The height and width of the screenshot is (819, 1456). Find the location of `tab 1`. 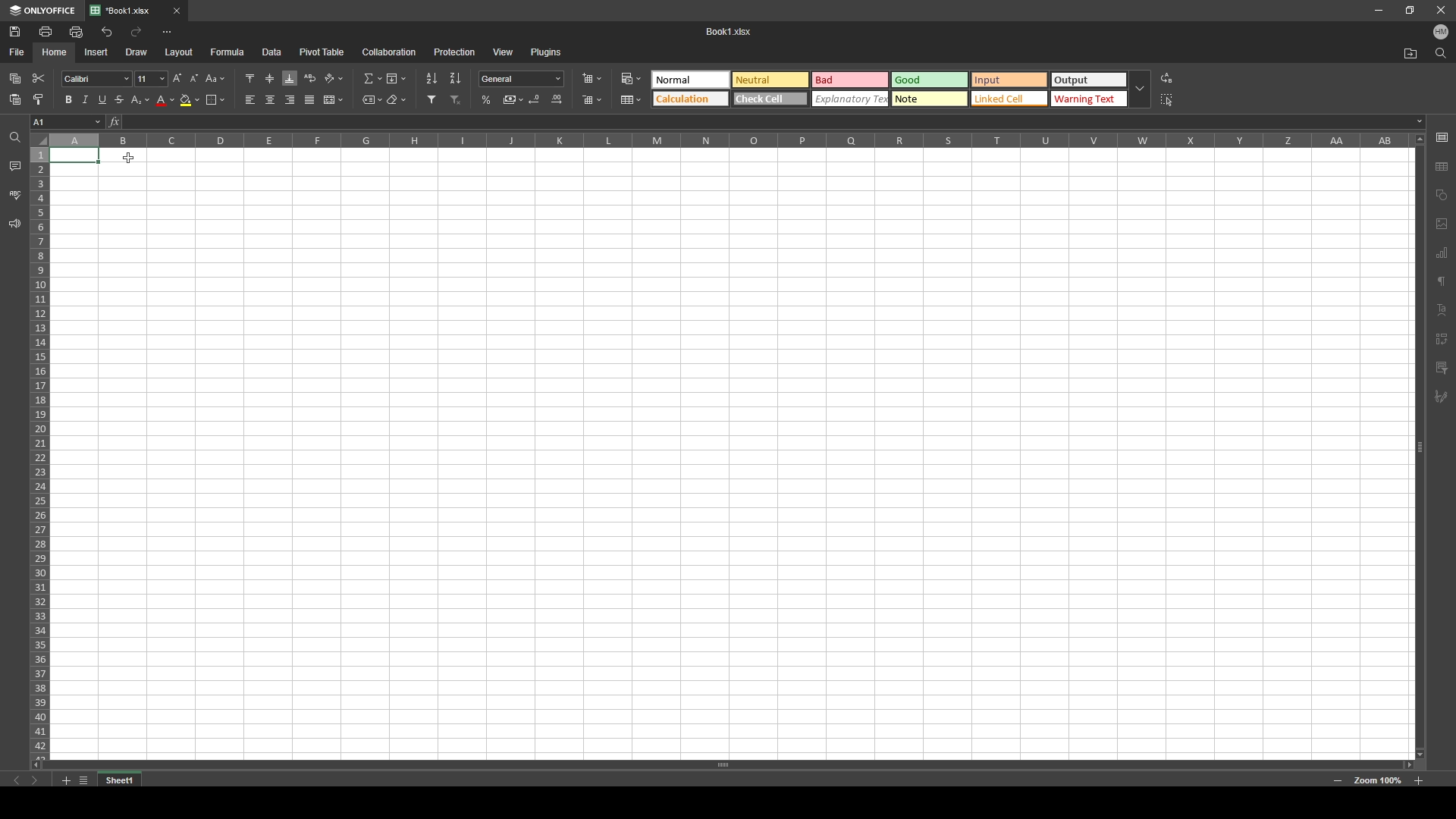

tab 1 is located at coordinates (126, 11).